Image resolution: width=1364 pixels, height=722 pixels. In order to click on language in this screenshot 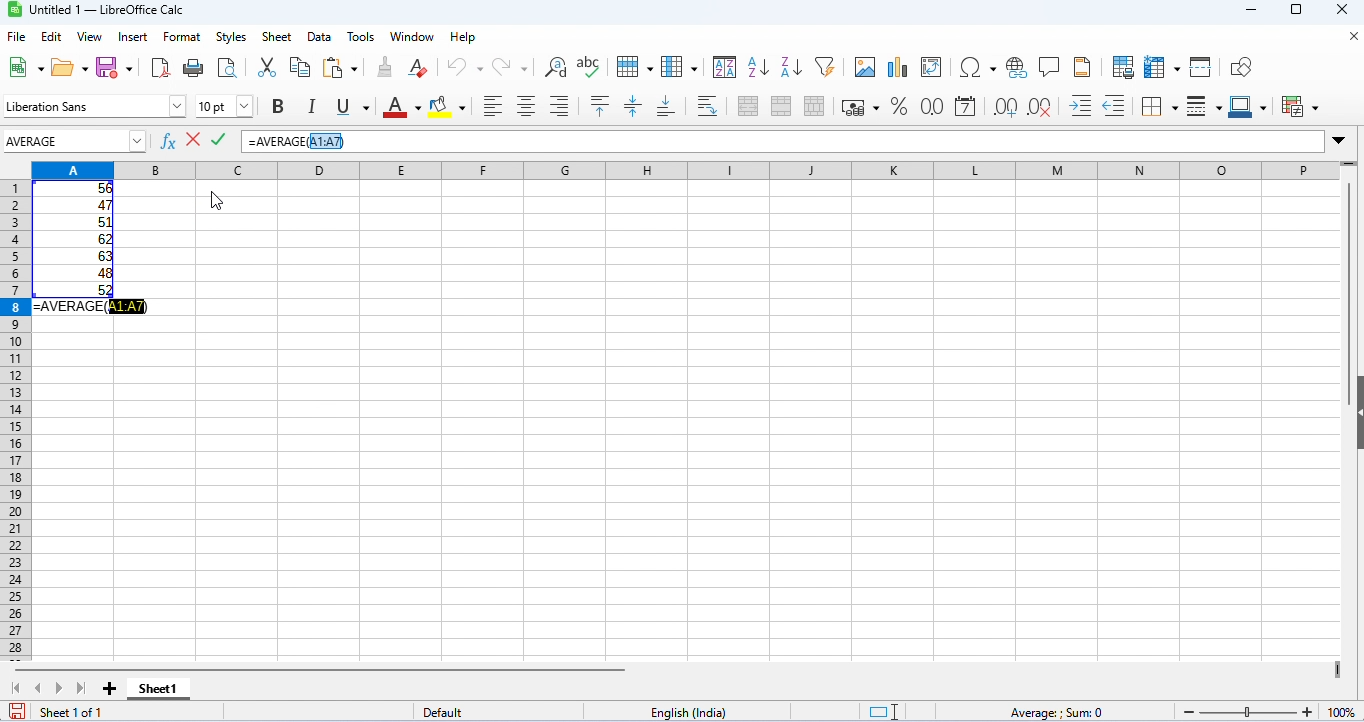, I will do `click(691, 713)`.